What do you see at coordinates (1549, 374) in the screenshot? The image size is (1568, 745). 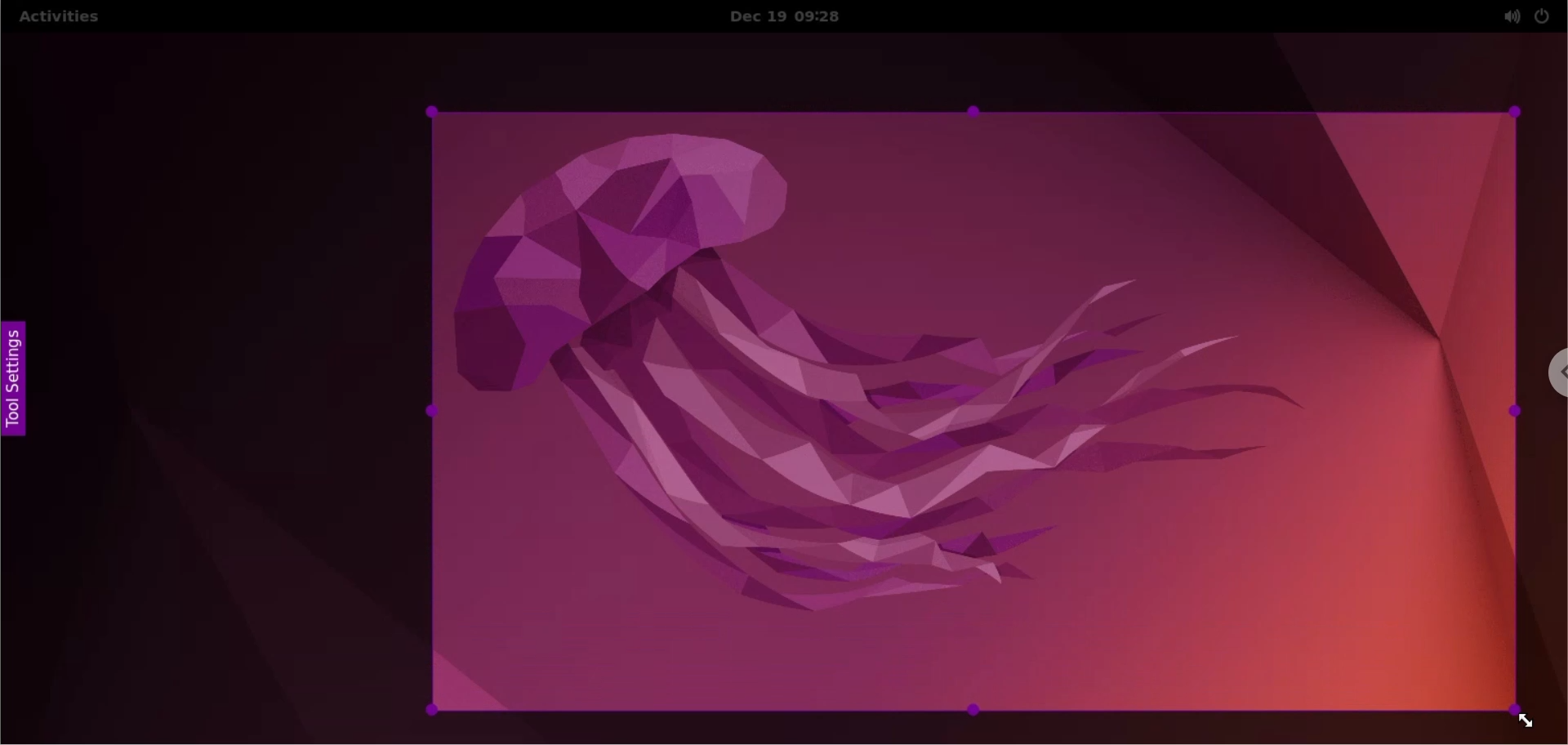 I see `chrome options` at bounding box center [1549, 374].